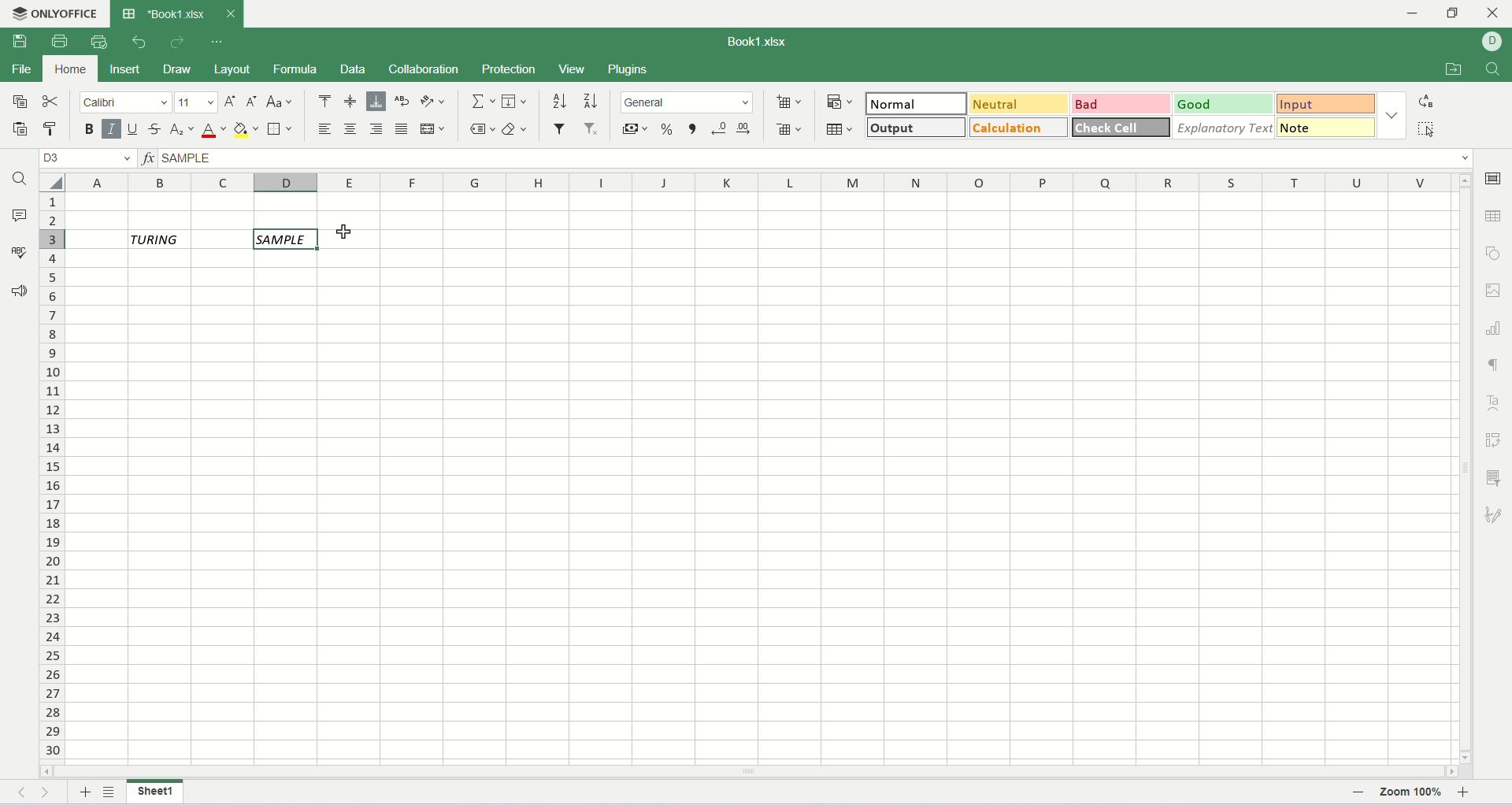 Image resolution: width=1512 pixels, height=805 pixels. Describe the element at coordinates (1492, 42) in the screenshot. I see `username` at that location.